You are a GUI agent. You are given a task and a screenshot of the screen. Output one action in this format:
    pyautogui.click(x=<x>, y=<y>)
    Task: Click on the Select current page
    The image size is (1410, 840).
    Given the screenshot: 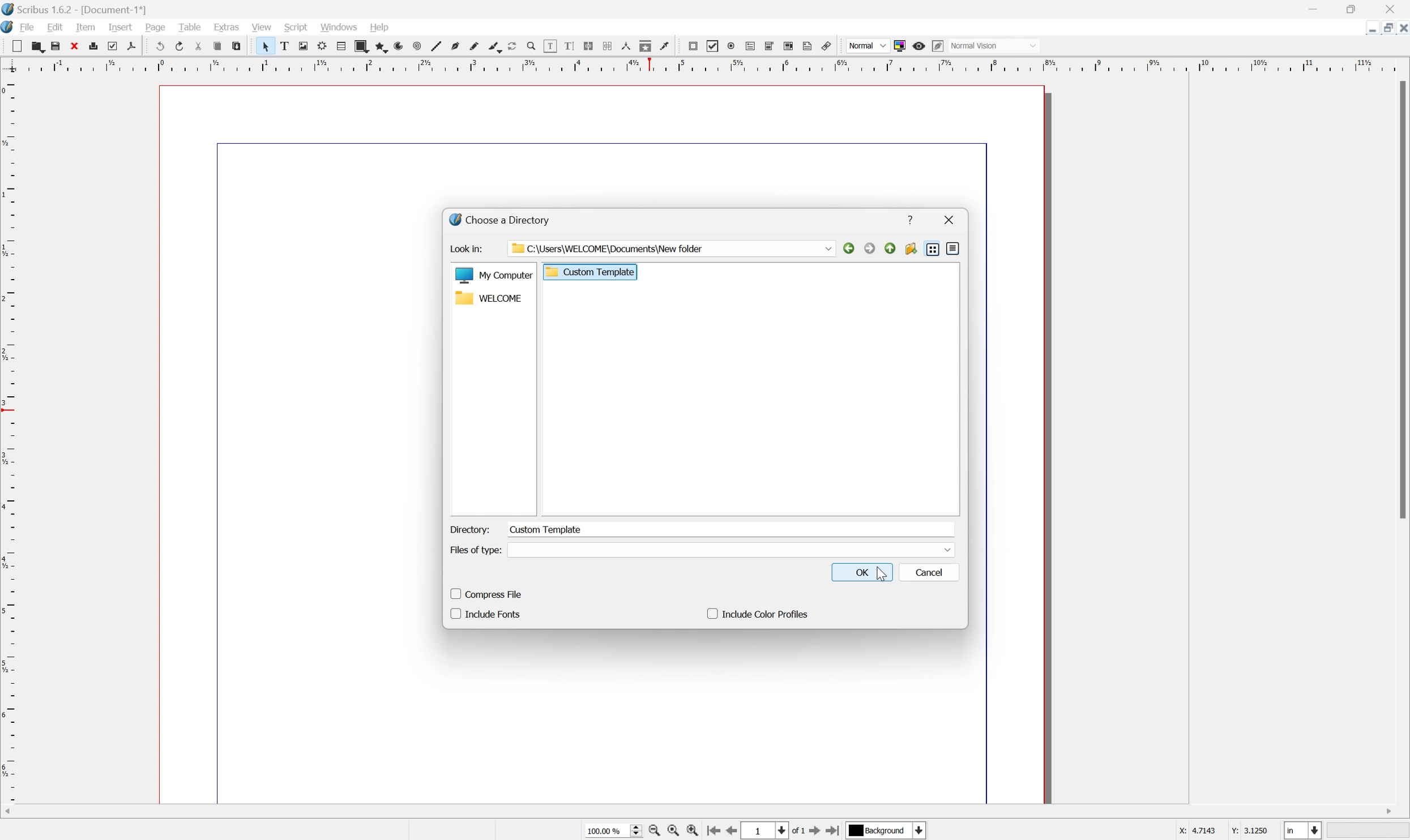 What is the action you would take?
    pyautogui.click(x=773, y=832)
    